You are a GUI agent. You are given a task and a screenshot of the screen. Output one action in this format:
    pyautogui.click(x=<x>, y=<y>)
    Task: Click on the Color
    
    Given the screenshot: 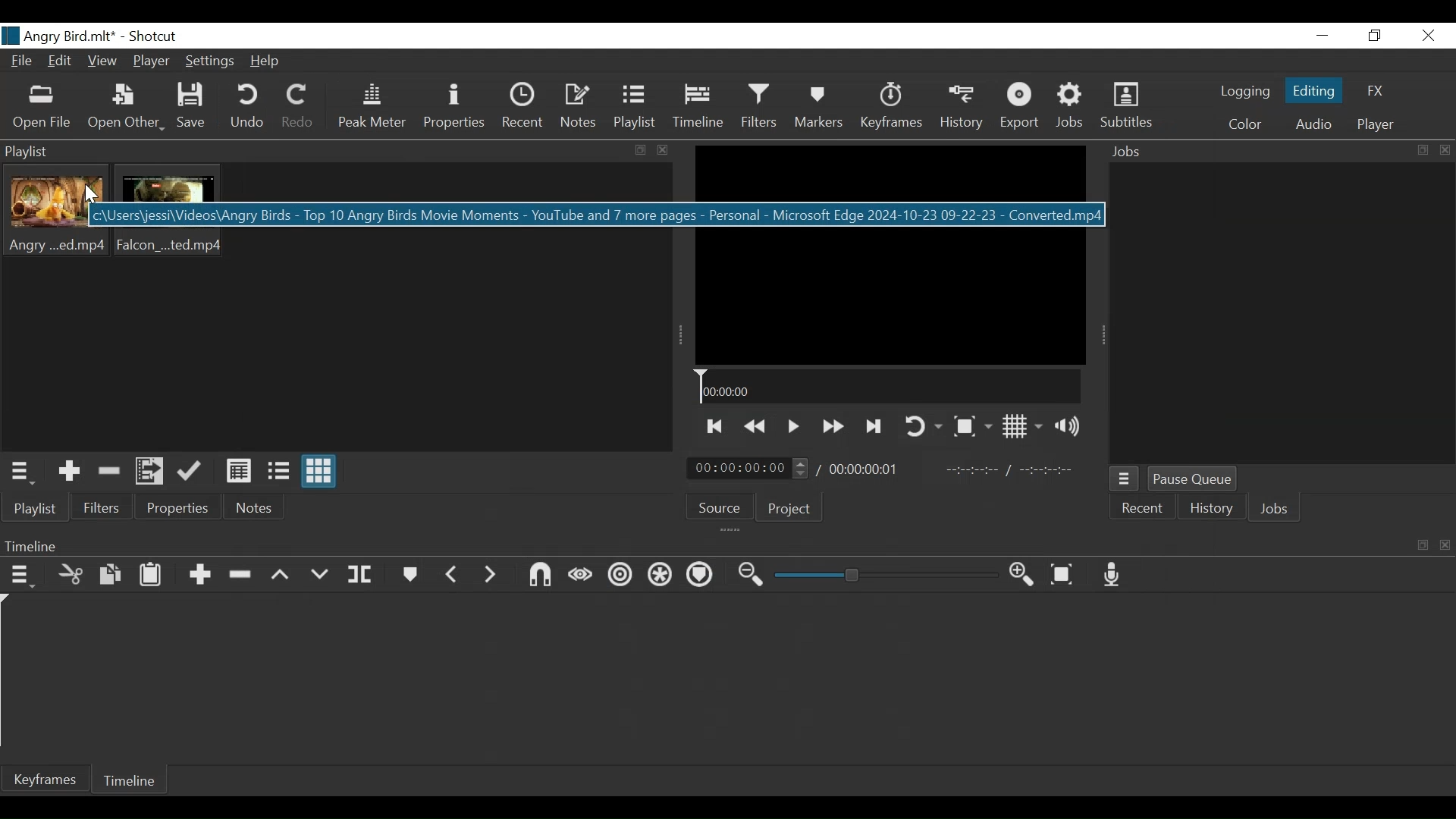 What is the action you would take?
    pyautogui.click(x=1241, y=124)
    